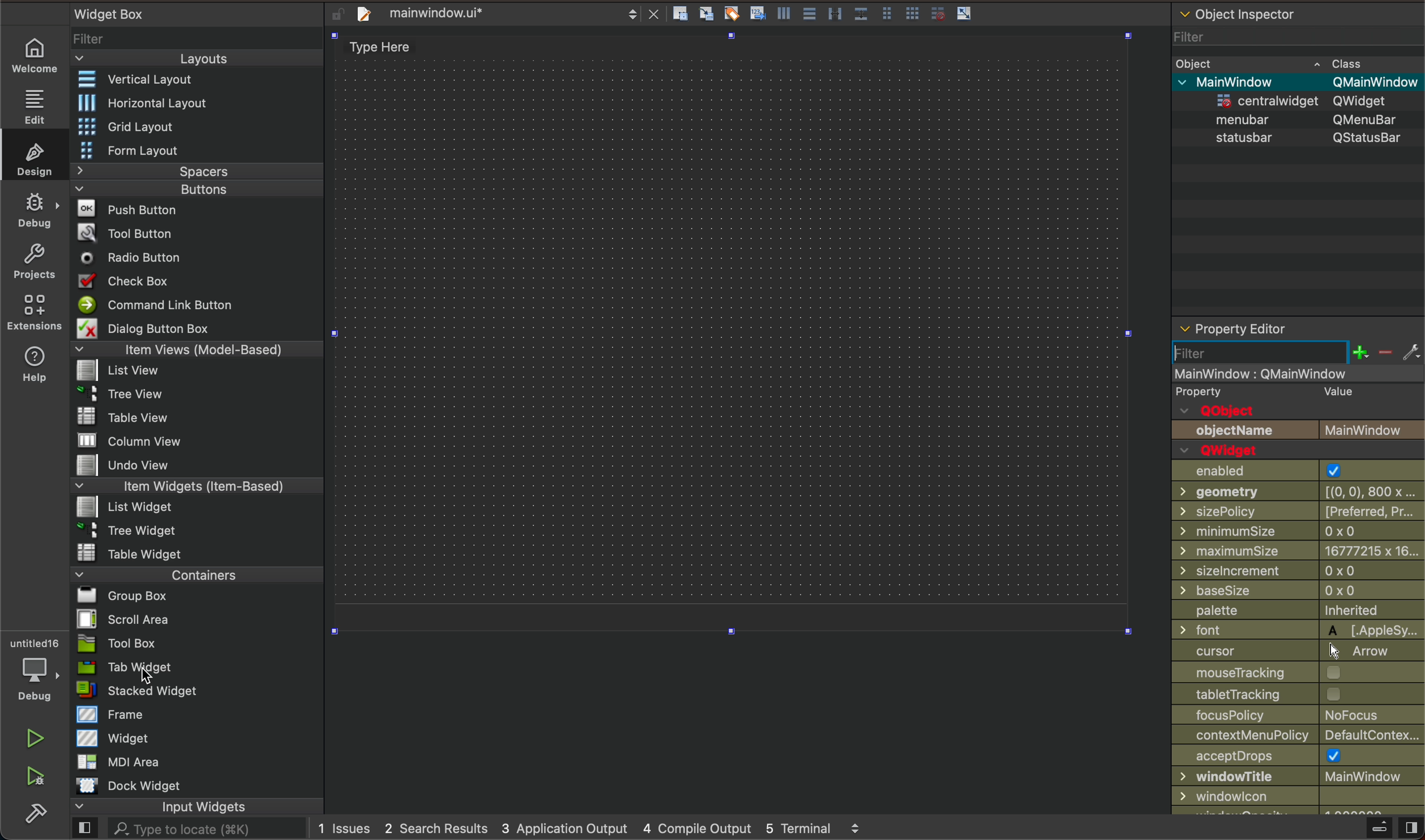 This screenshot has width=1425, height=840. Describe the element at coordinates (199, 808) in the screenshot. I see `input widgets` at that location.